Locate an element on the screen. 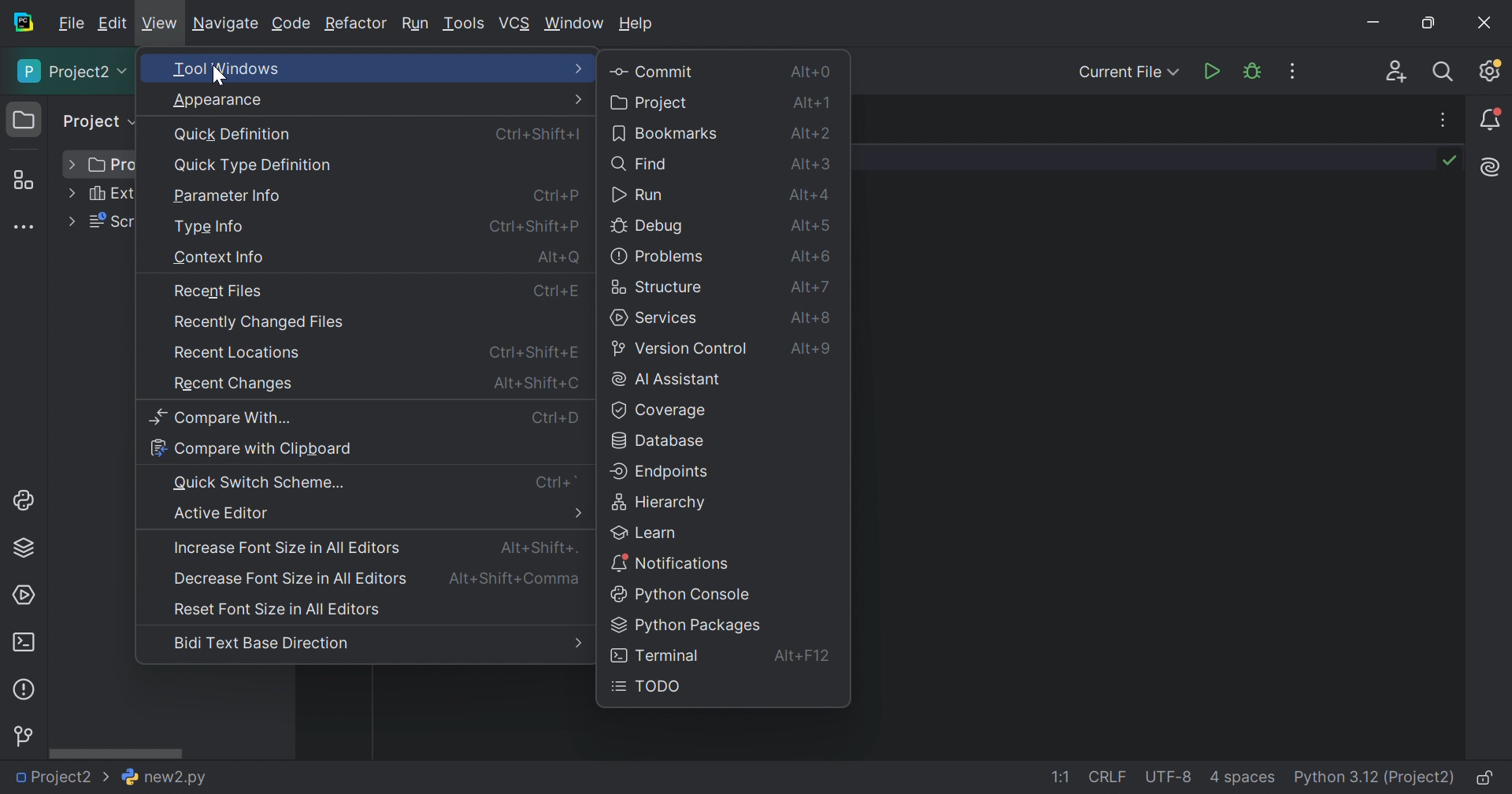 Image resolution: width=1512 pixels, height=794 pixels. Alt+2 is located at coordinates (812, 134).